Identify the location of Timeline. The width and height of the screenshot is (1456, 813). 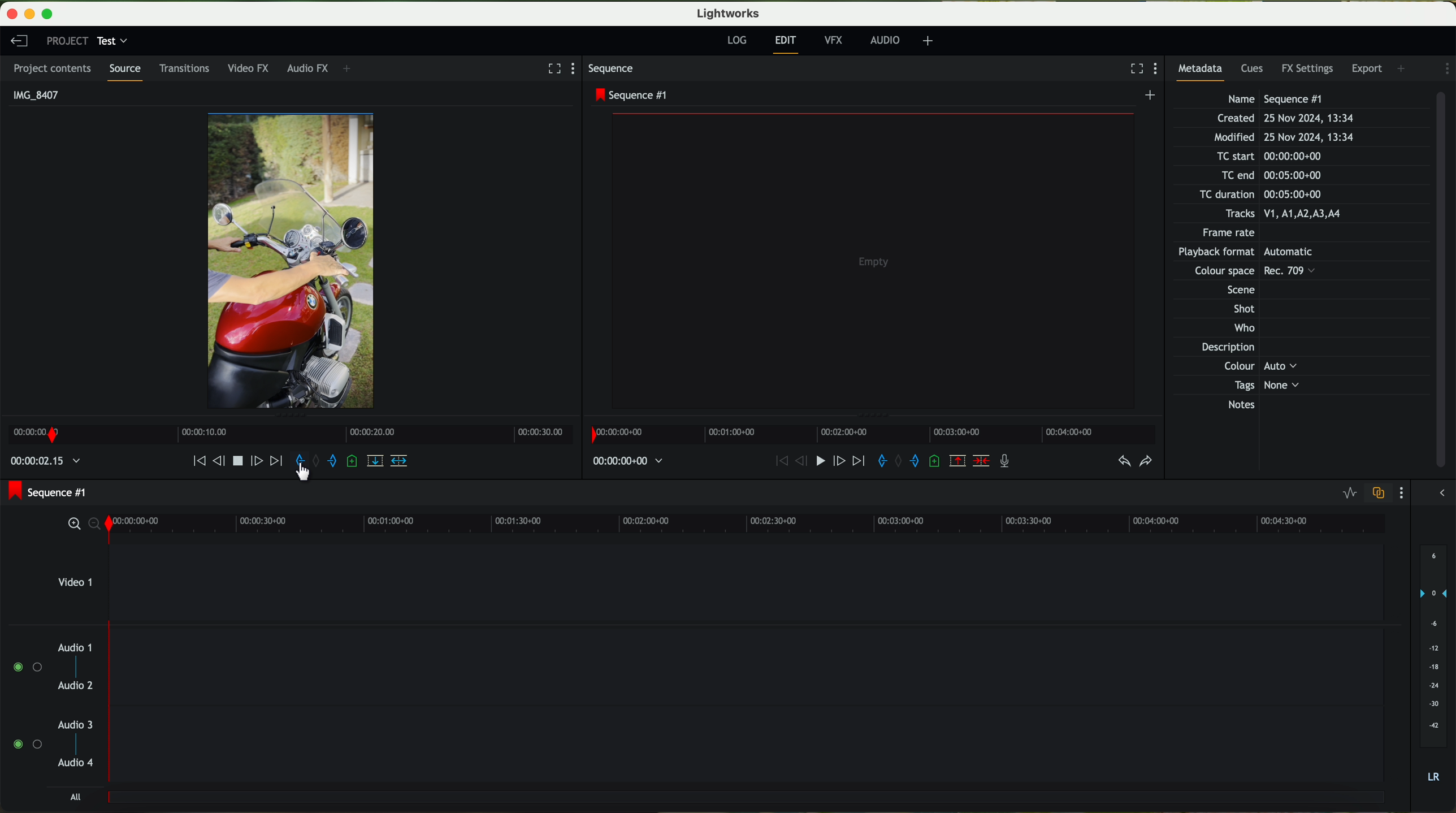
(283, 430).